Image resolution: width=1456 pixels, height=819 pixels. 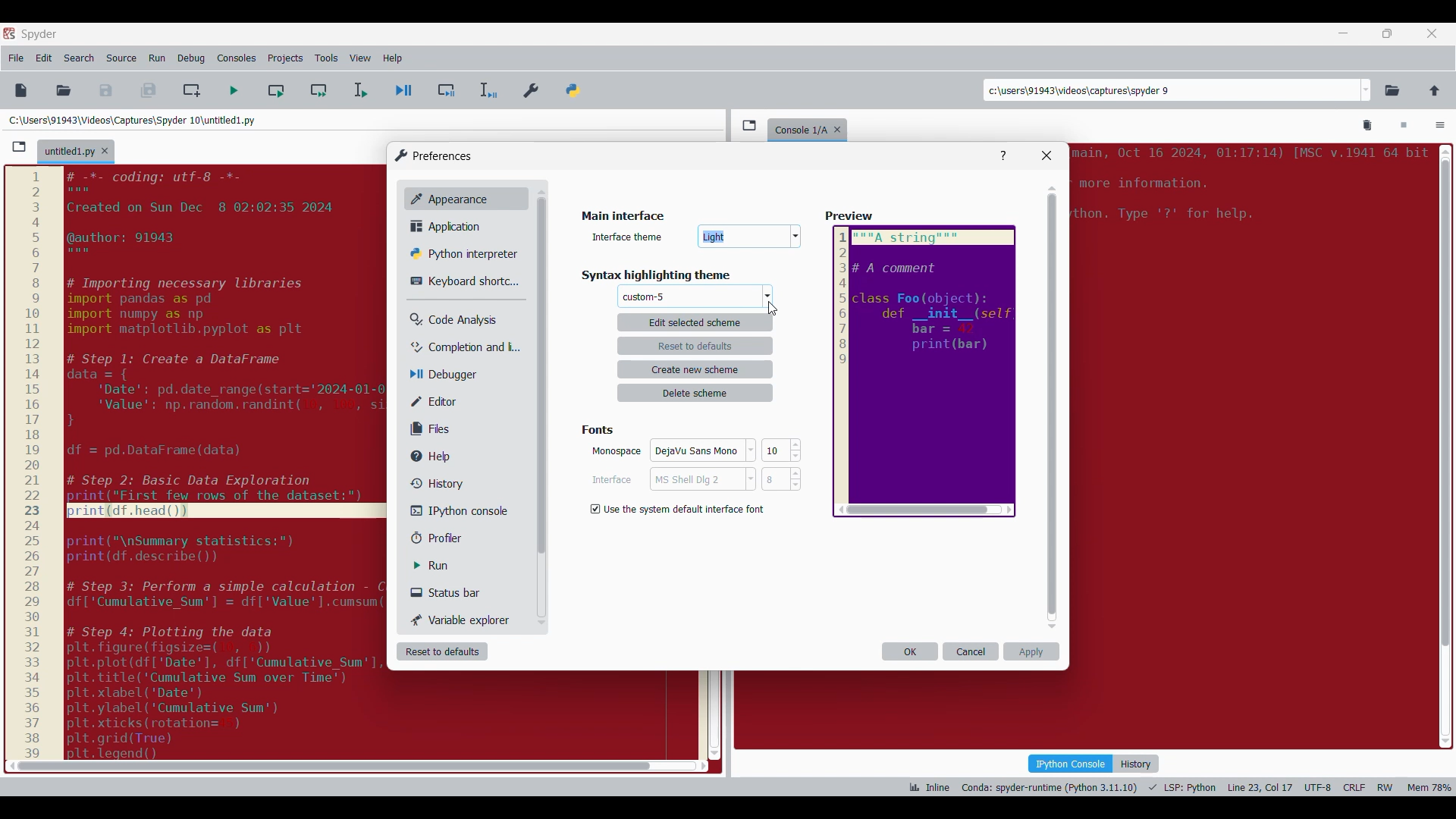 I want to click on Browse tabs, so click(x=19, y=147).